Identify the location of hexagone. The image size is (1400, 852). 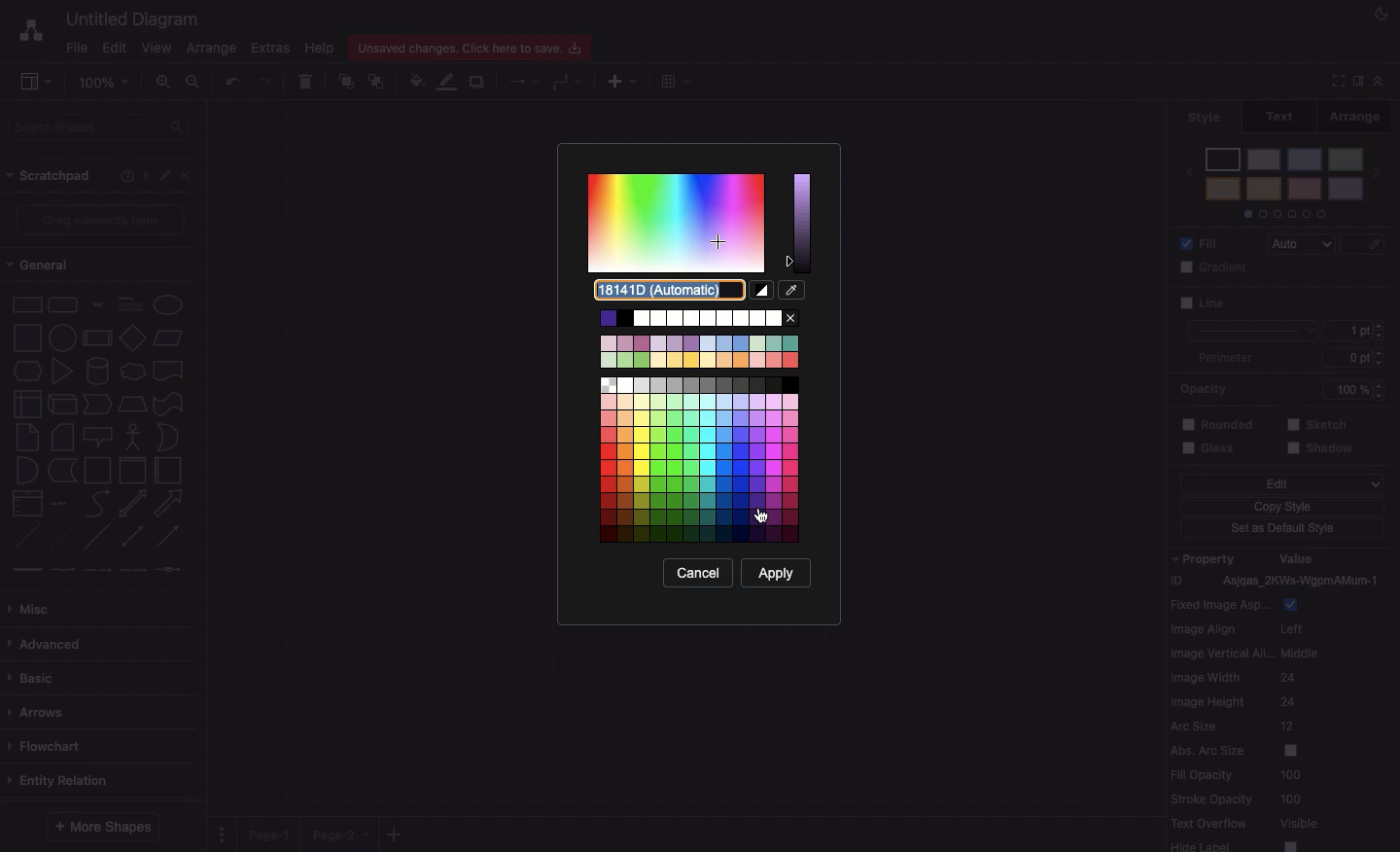
(26, 369).